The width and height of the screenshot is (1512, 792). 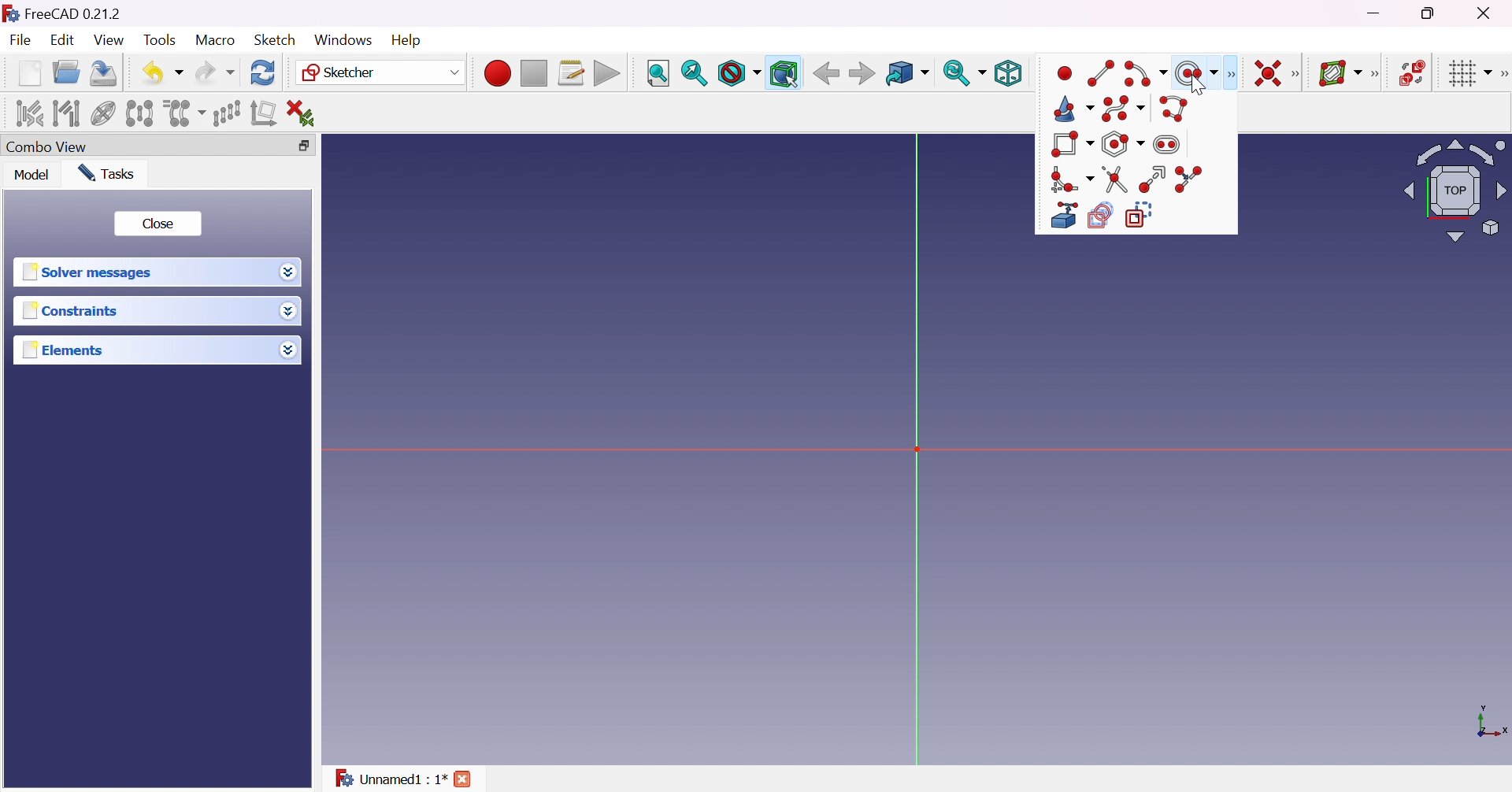 What do you see at coordinates (1072, 145) in the screenshot?
I see `Create rectangle` at bounding box center [1072, 145].